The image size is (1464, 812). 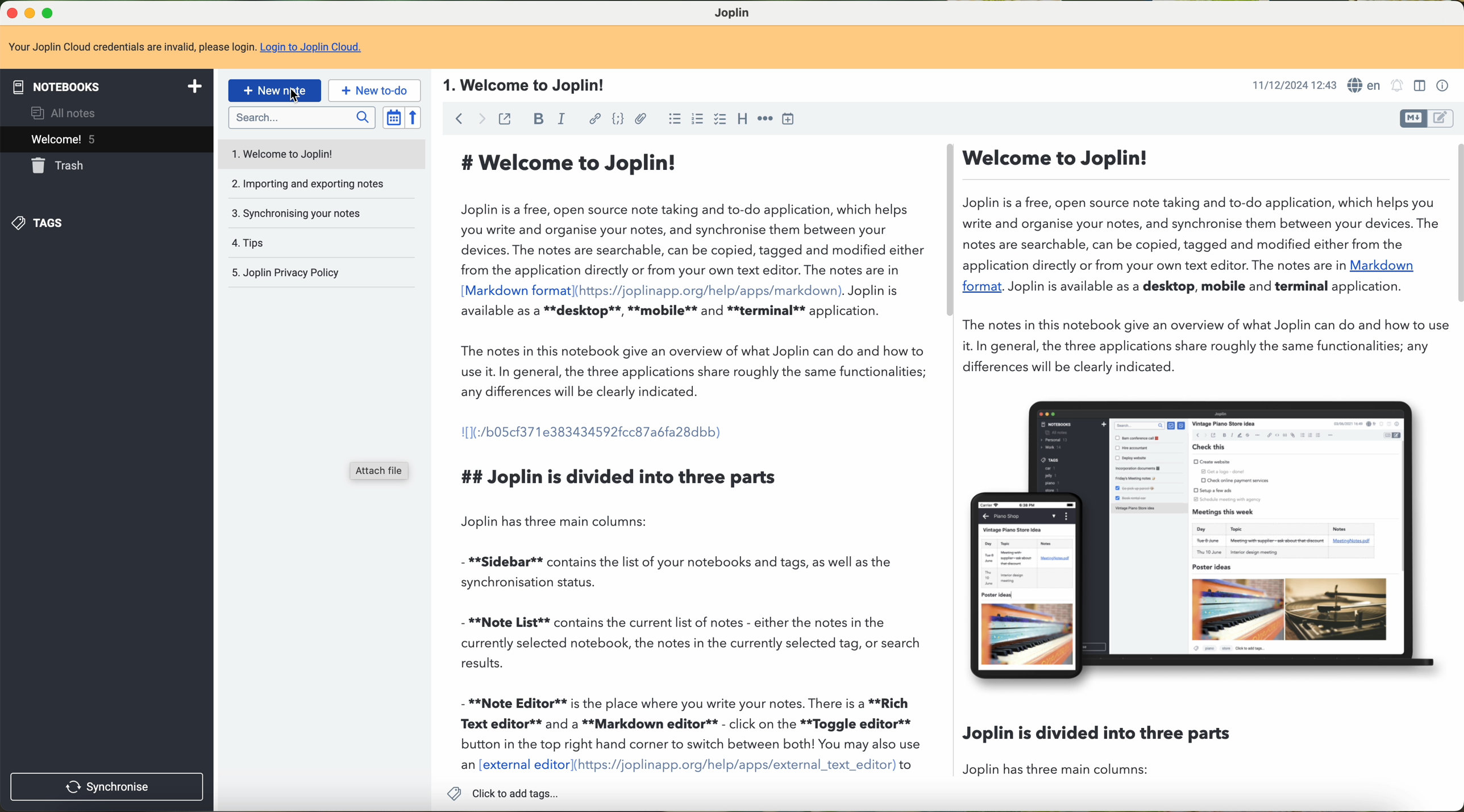 What do you see at coordinates (561, 119) in the screenshot?
I see `italic` at bounding box center [561, 119].